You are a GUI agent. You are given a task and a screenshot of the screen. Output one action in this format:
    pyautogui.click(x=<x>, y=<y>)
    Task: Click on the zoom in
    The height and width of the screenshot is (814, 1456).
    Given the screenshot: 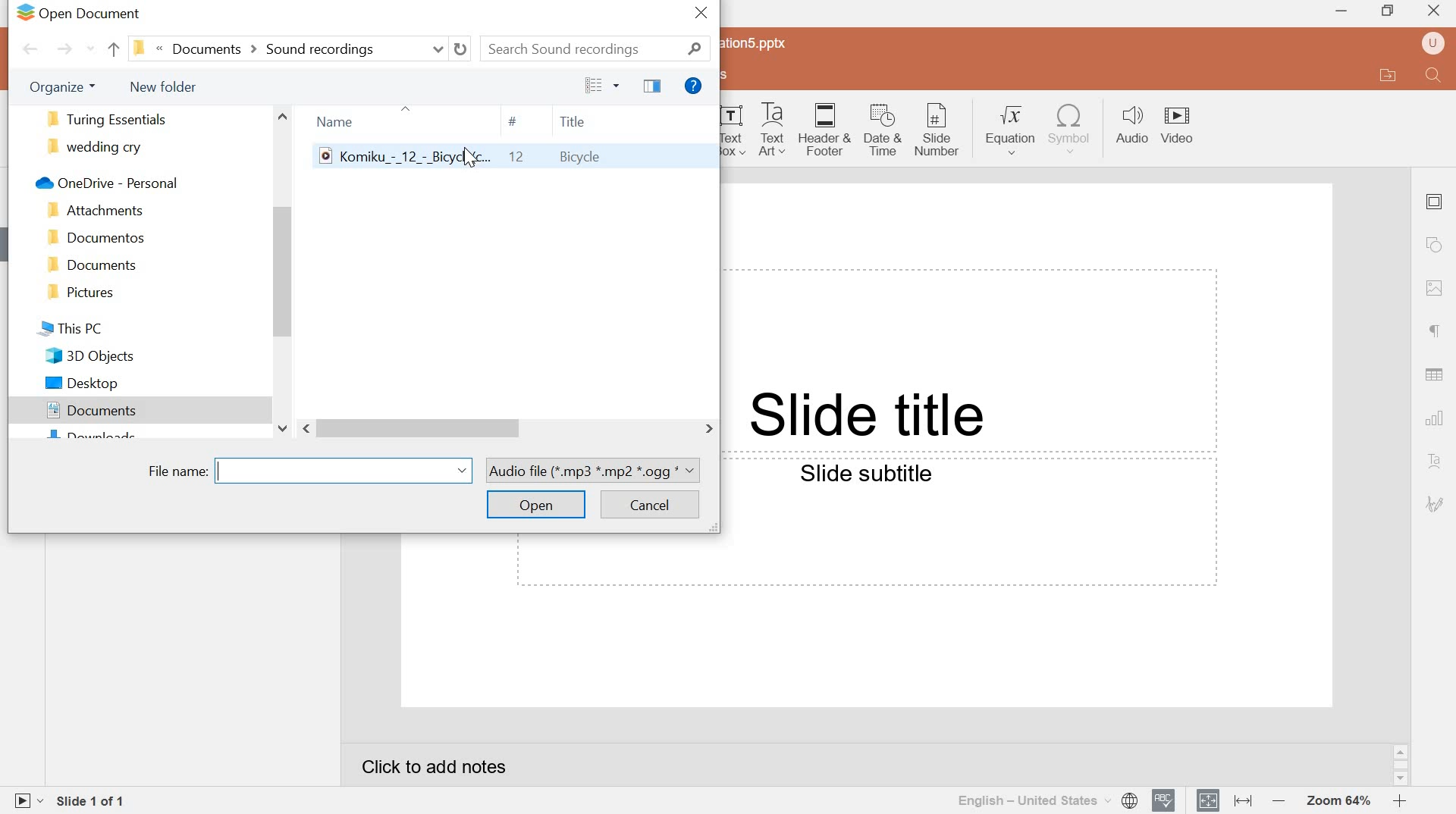 What is the action you would take?
    pyautogui.click(x=1399, y=800)
    